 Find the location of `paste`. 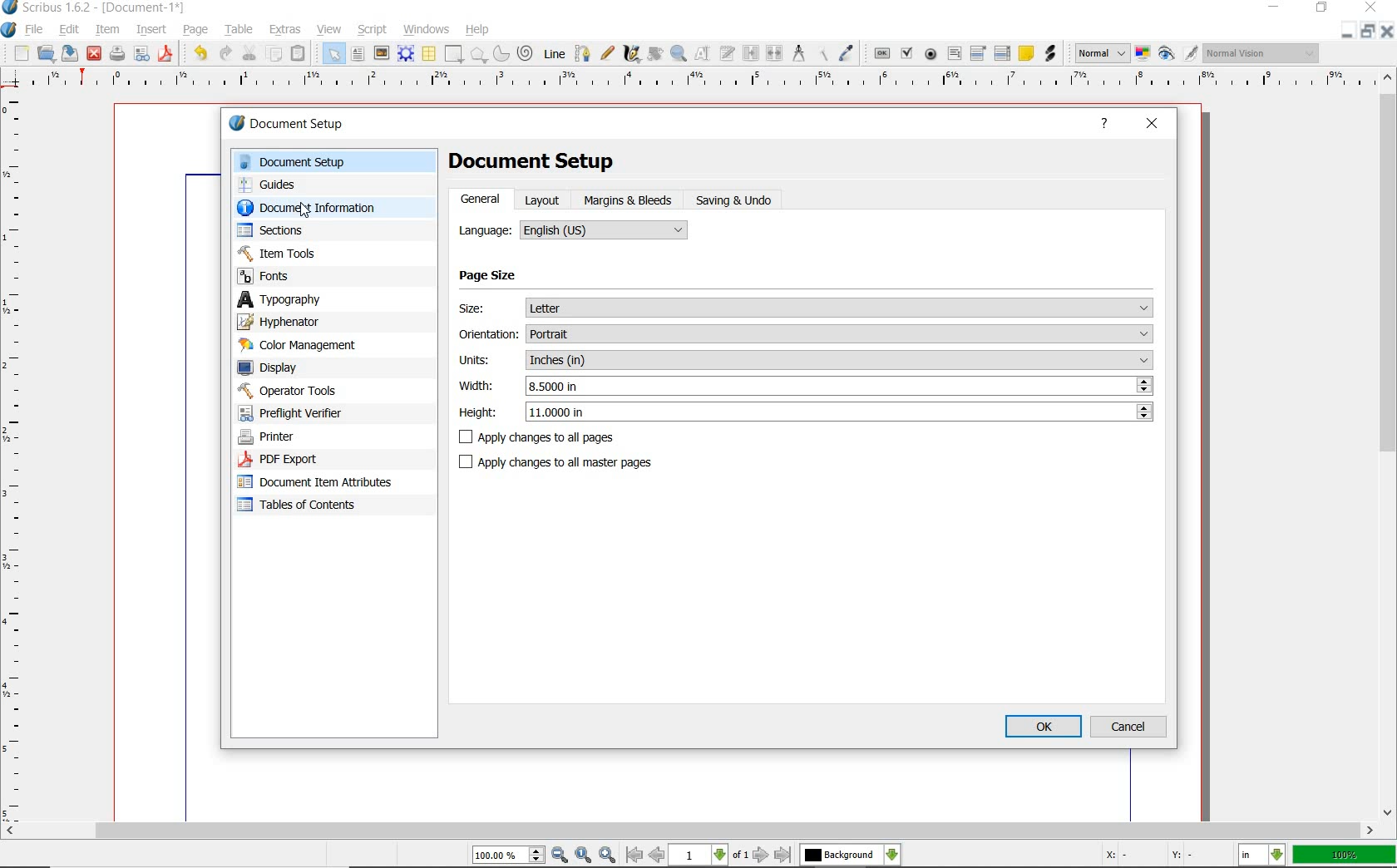

paste is located at coordinates (301, 52).